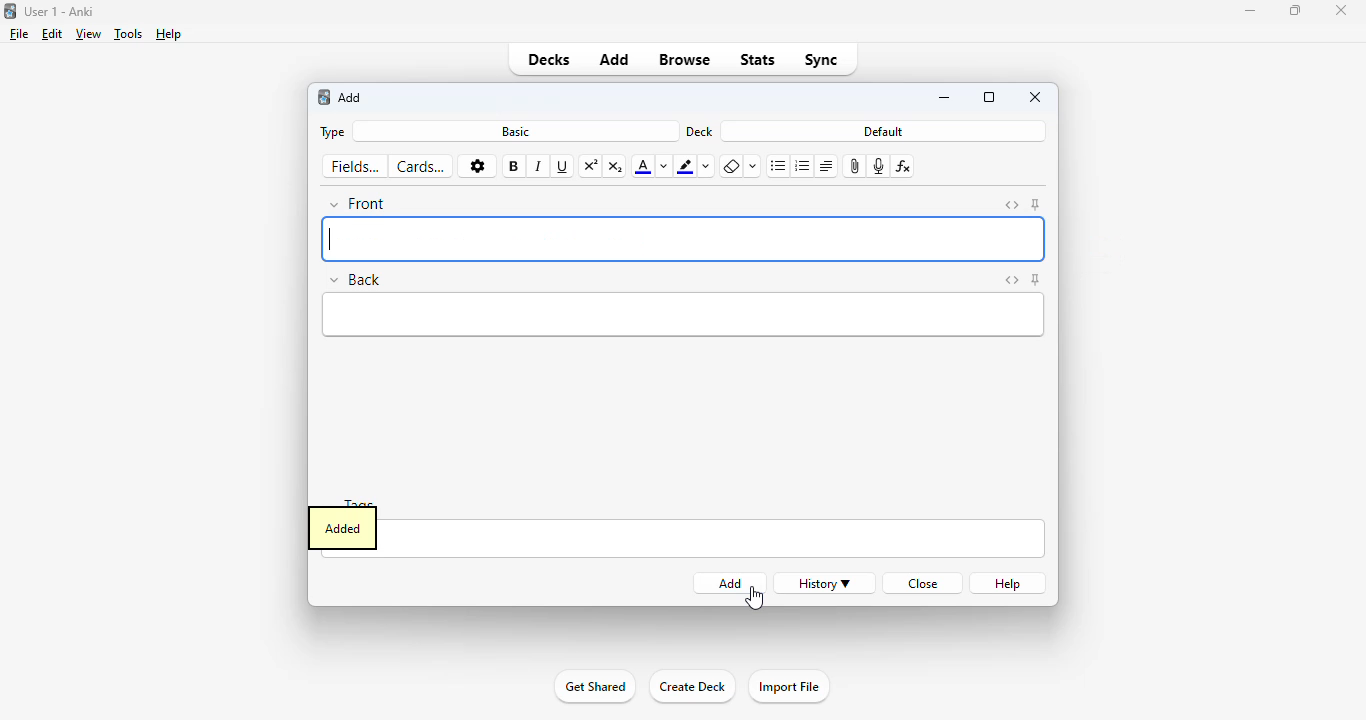 This screenshot has height=720, width=1366. I want to click on tools, so click(129, 33).